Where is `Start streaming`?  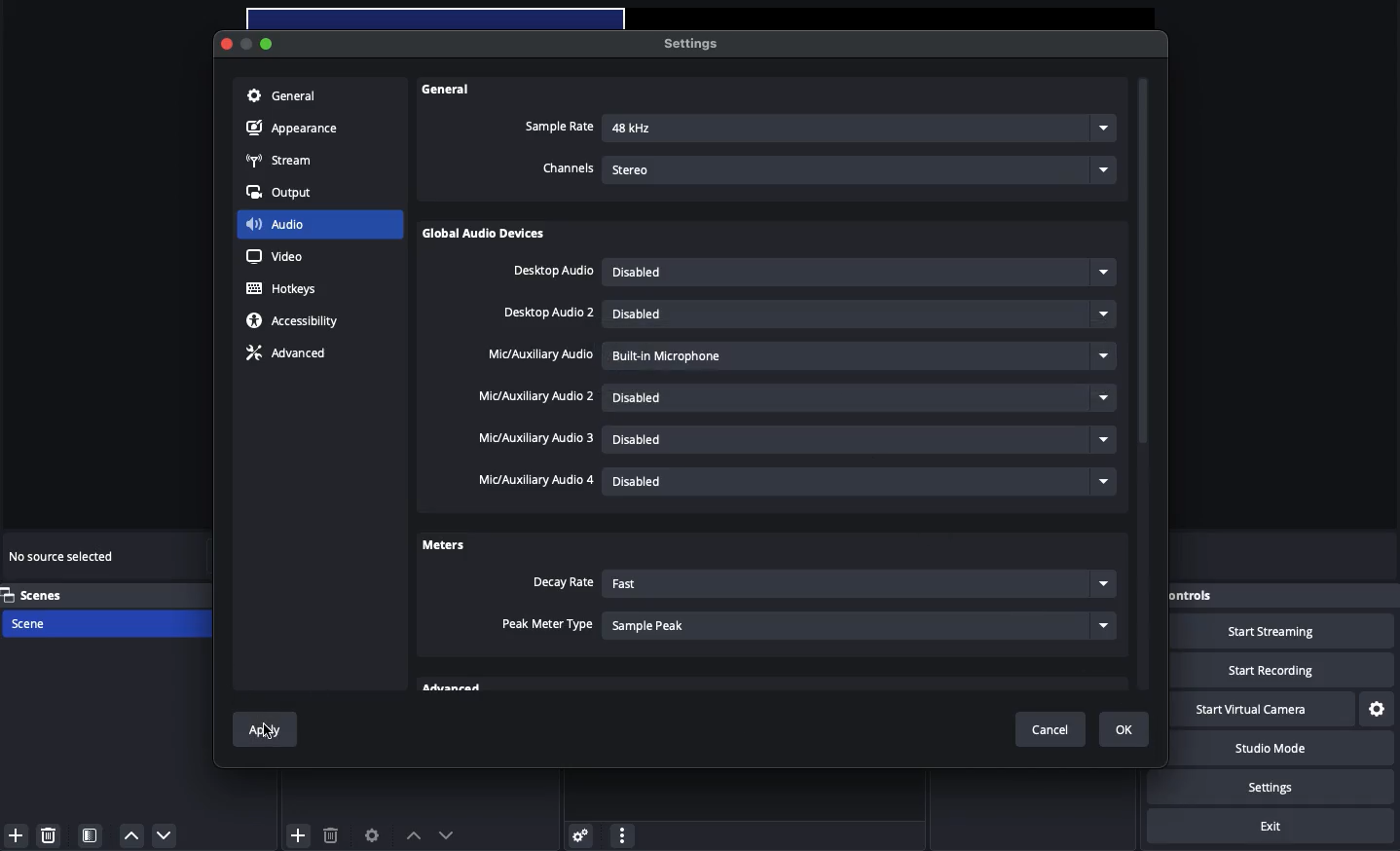
Start streaming is located at coordinates (1287, 632).